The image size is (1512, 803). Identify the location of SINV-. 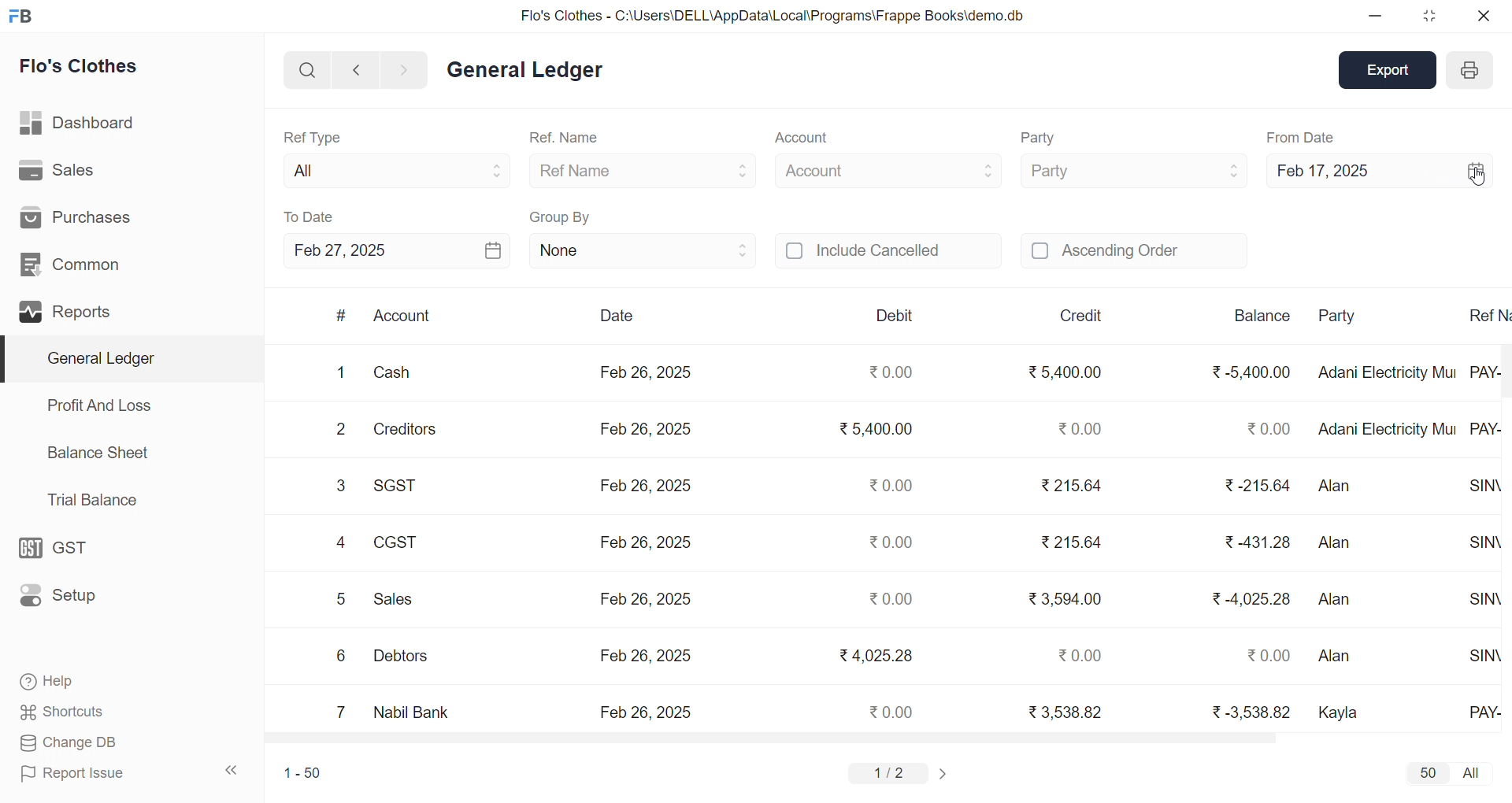
(1484, 542).